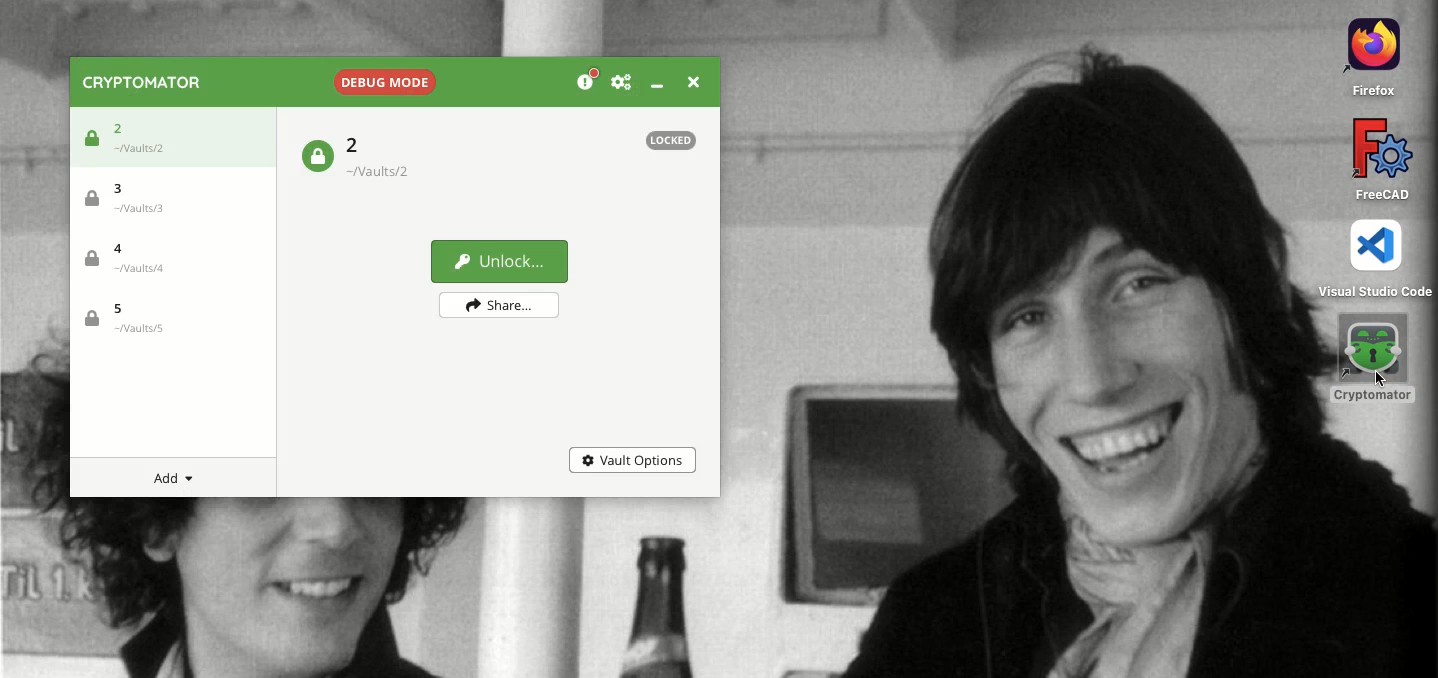  I want to click on Debug mode, so click(381, 81).